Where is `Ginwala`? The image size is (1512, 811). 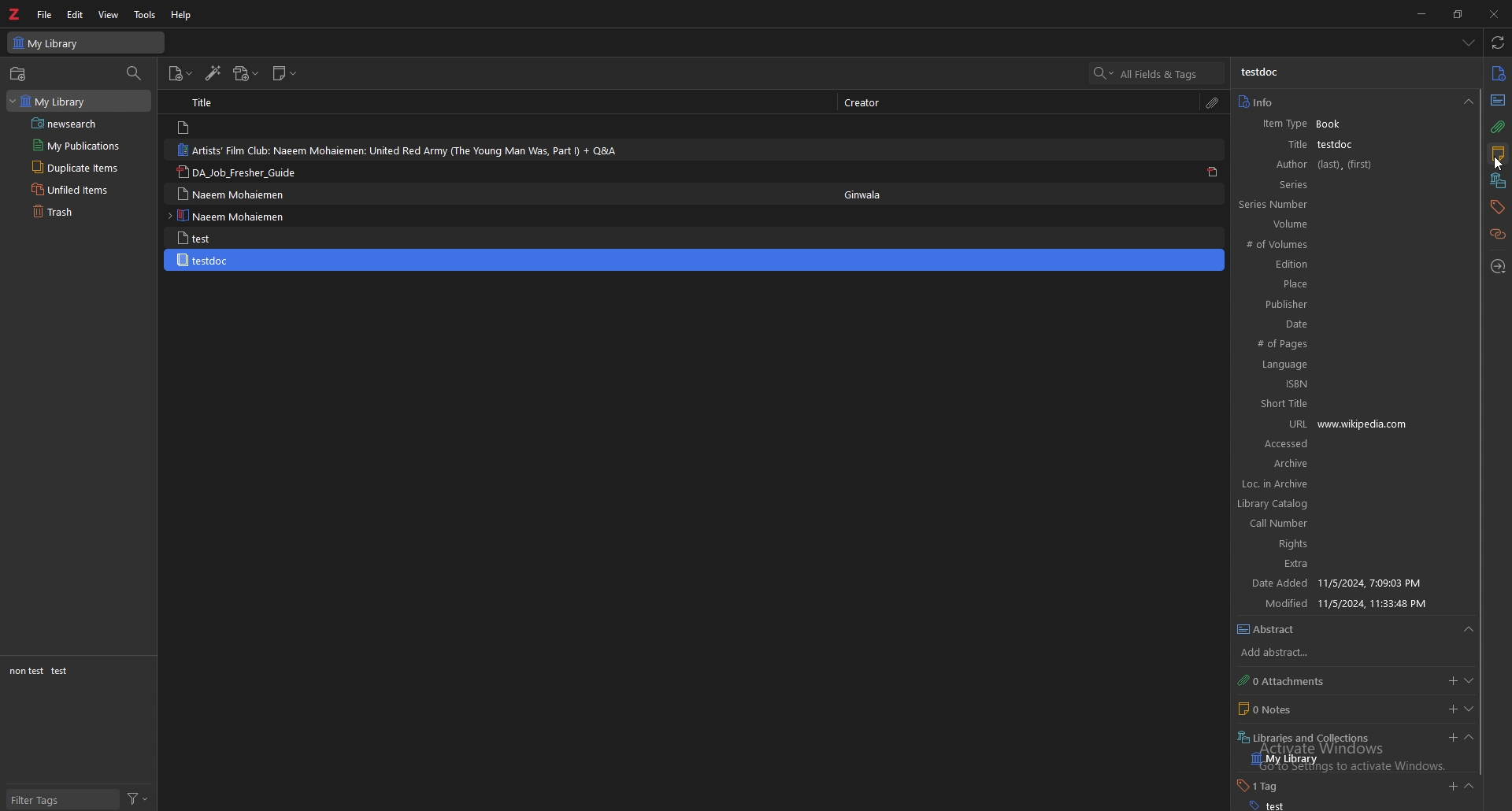
Ginwala is located at coordinates (871, 194).